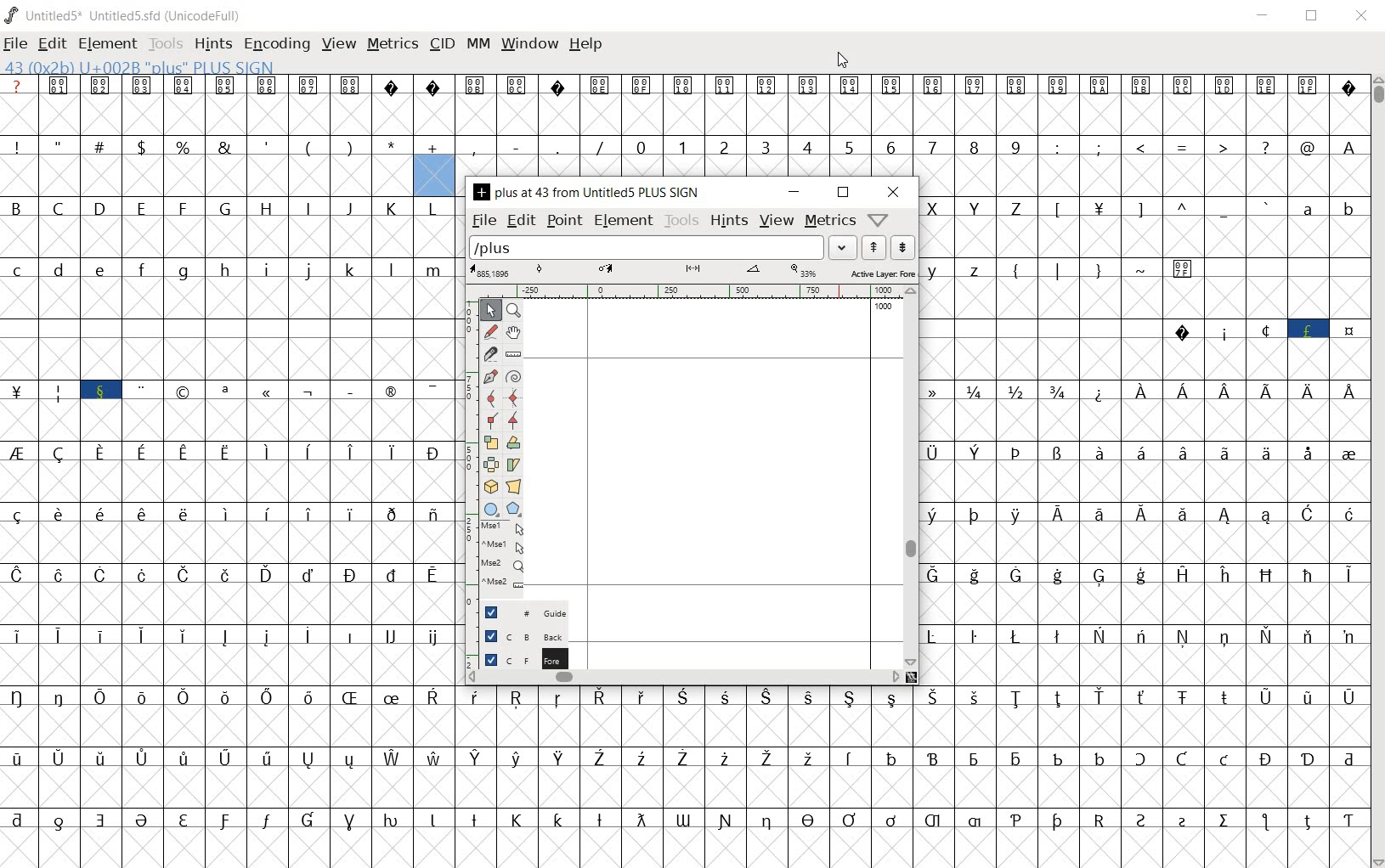  I want to click on oK, so click(1101, 410).